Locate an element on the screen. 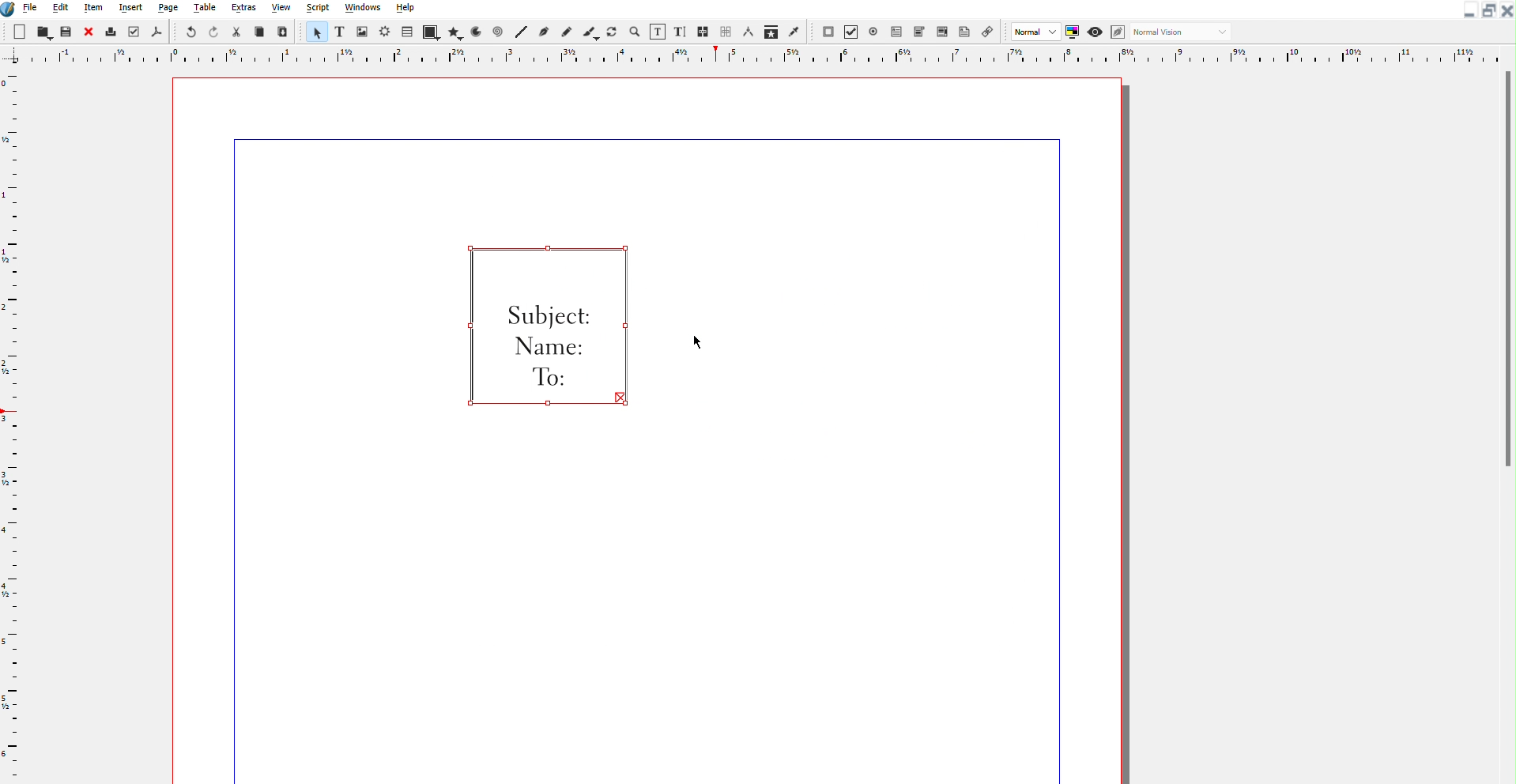 The width and height of the screenshot is (1516, 784). Check is located at coordinates (133, 32).